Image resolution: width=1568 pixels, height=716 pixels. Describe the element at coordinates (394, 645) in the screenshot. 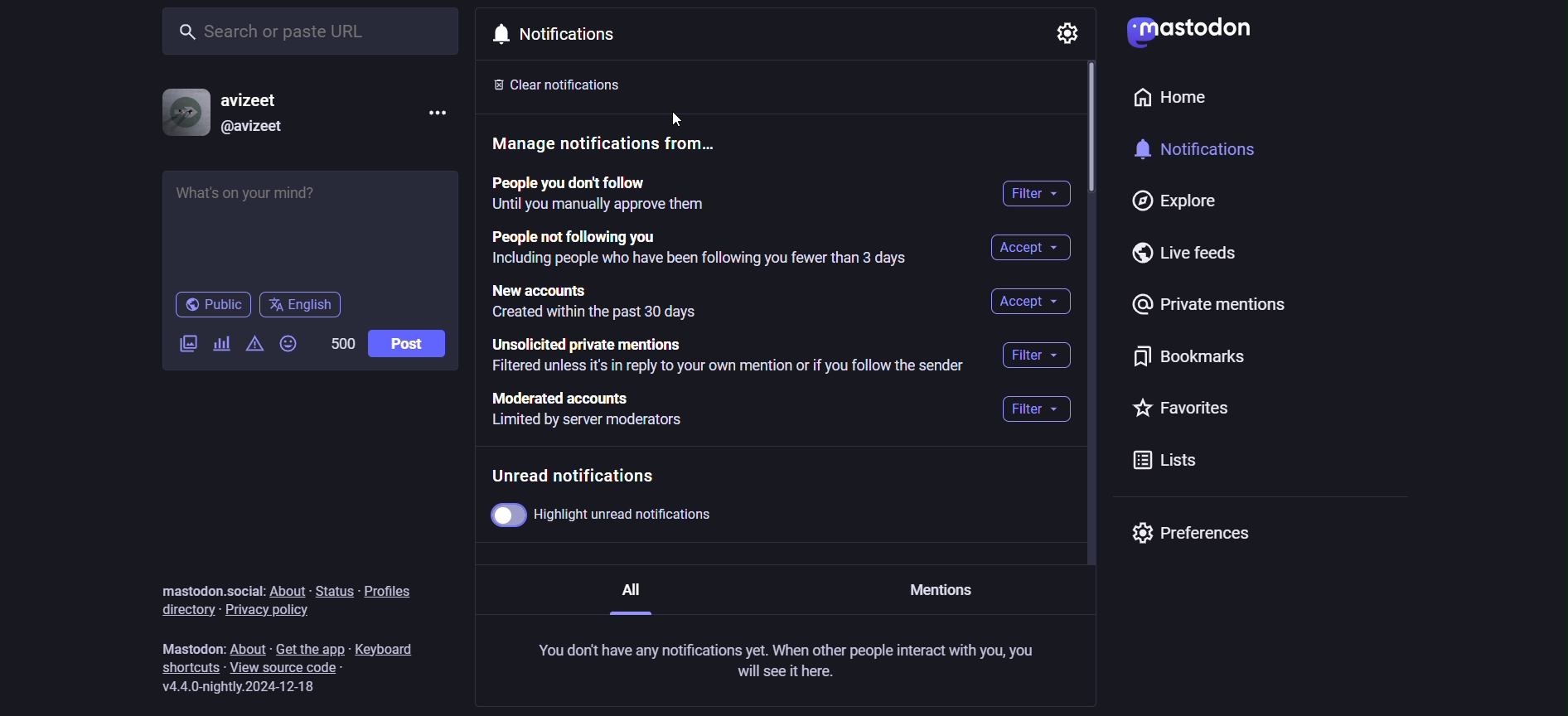

I see `keyboard` at that location.